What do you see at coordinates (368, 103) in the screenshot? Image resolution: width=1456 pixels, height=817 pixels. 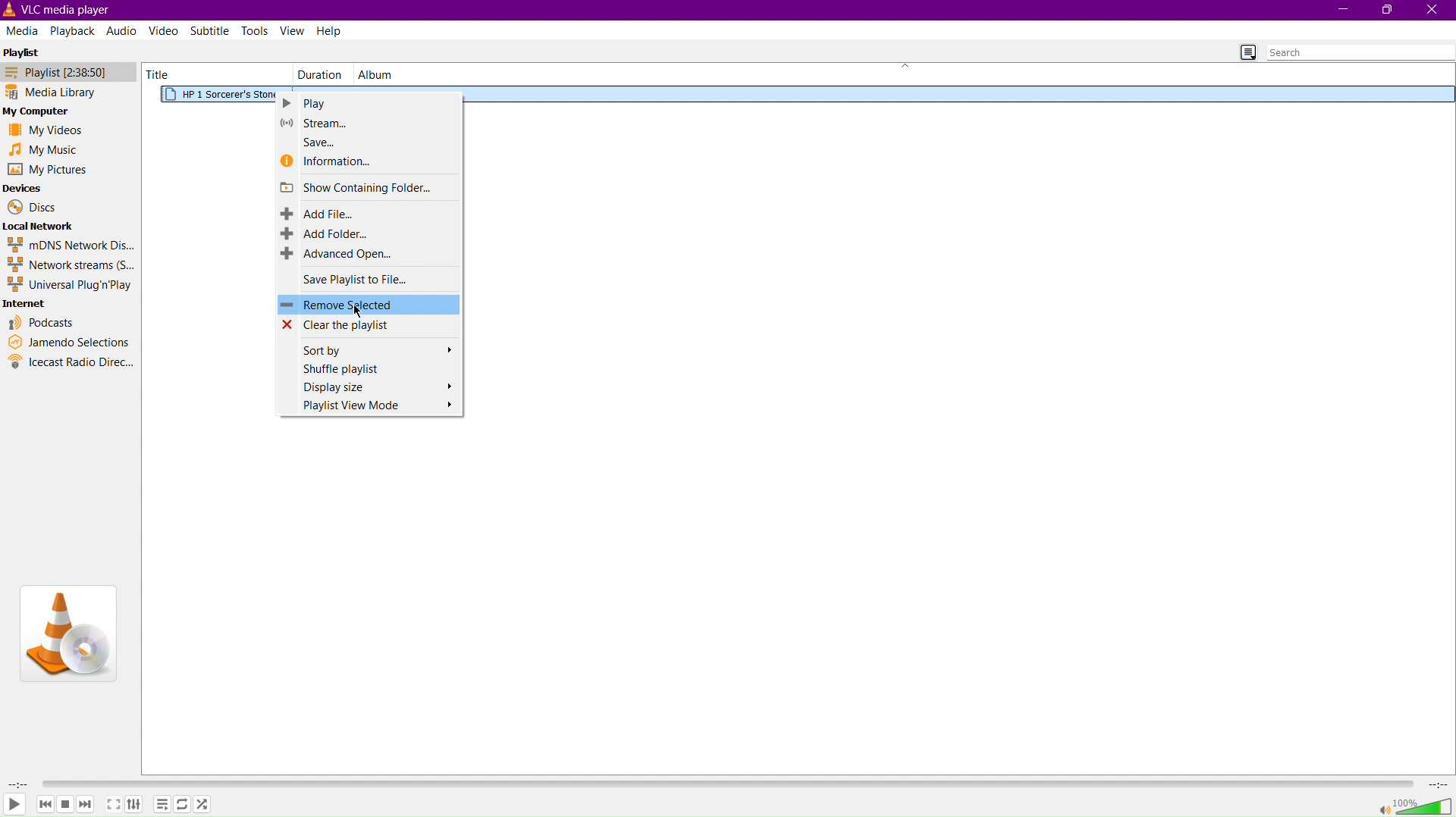 I see `Play` at bounding box center [368, 103].